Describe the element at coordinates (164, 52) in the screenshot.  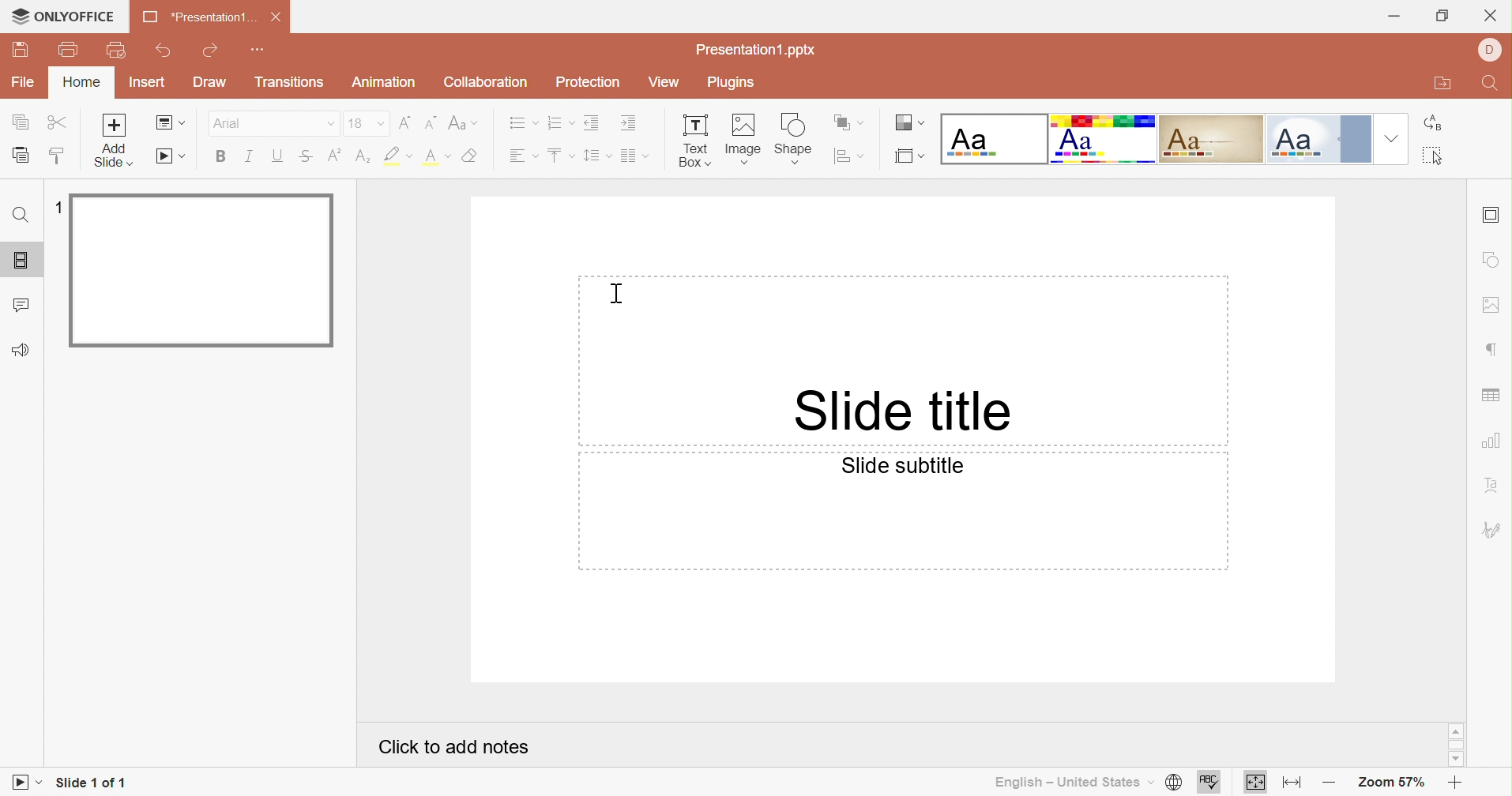
I see `Undo` at that location.